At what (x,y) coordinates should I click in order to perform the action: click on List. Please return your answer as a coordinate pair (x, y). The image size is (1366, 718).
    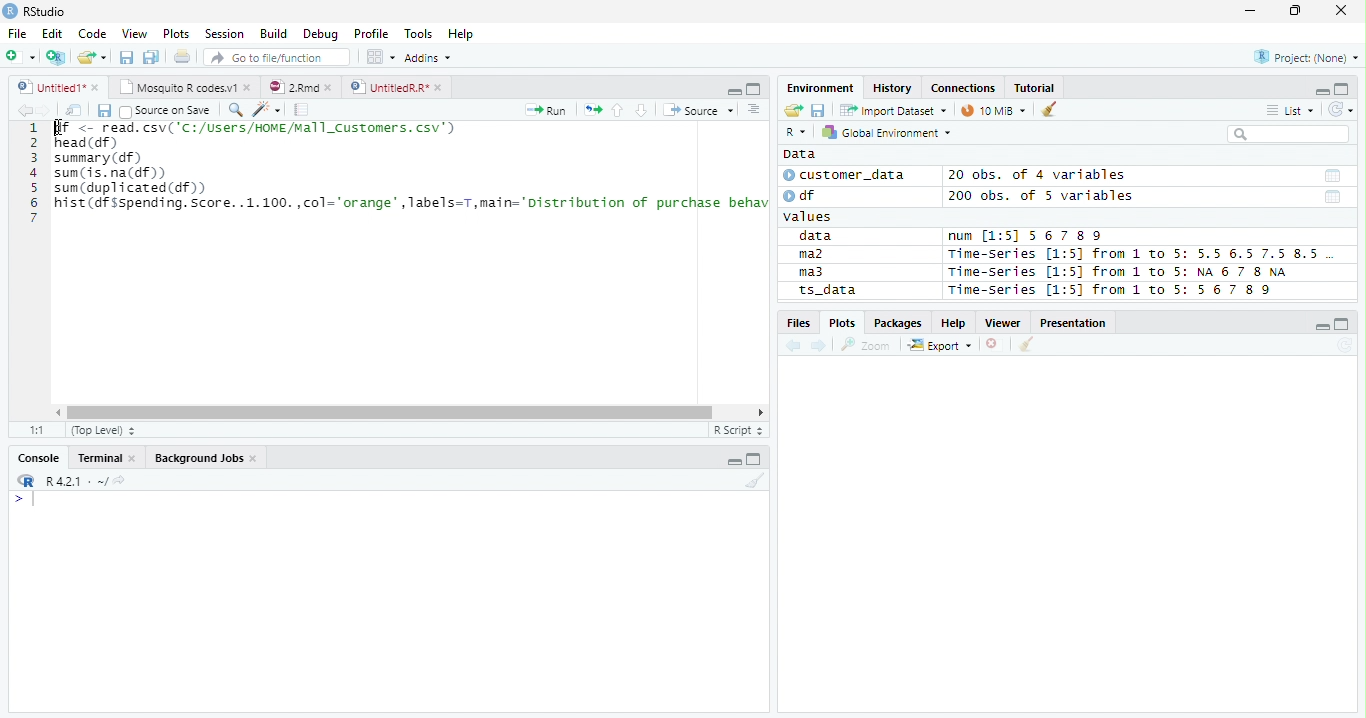
    Looking at the image, I should click on (1289, 111).